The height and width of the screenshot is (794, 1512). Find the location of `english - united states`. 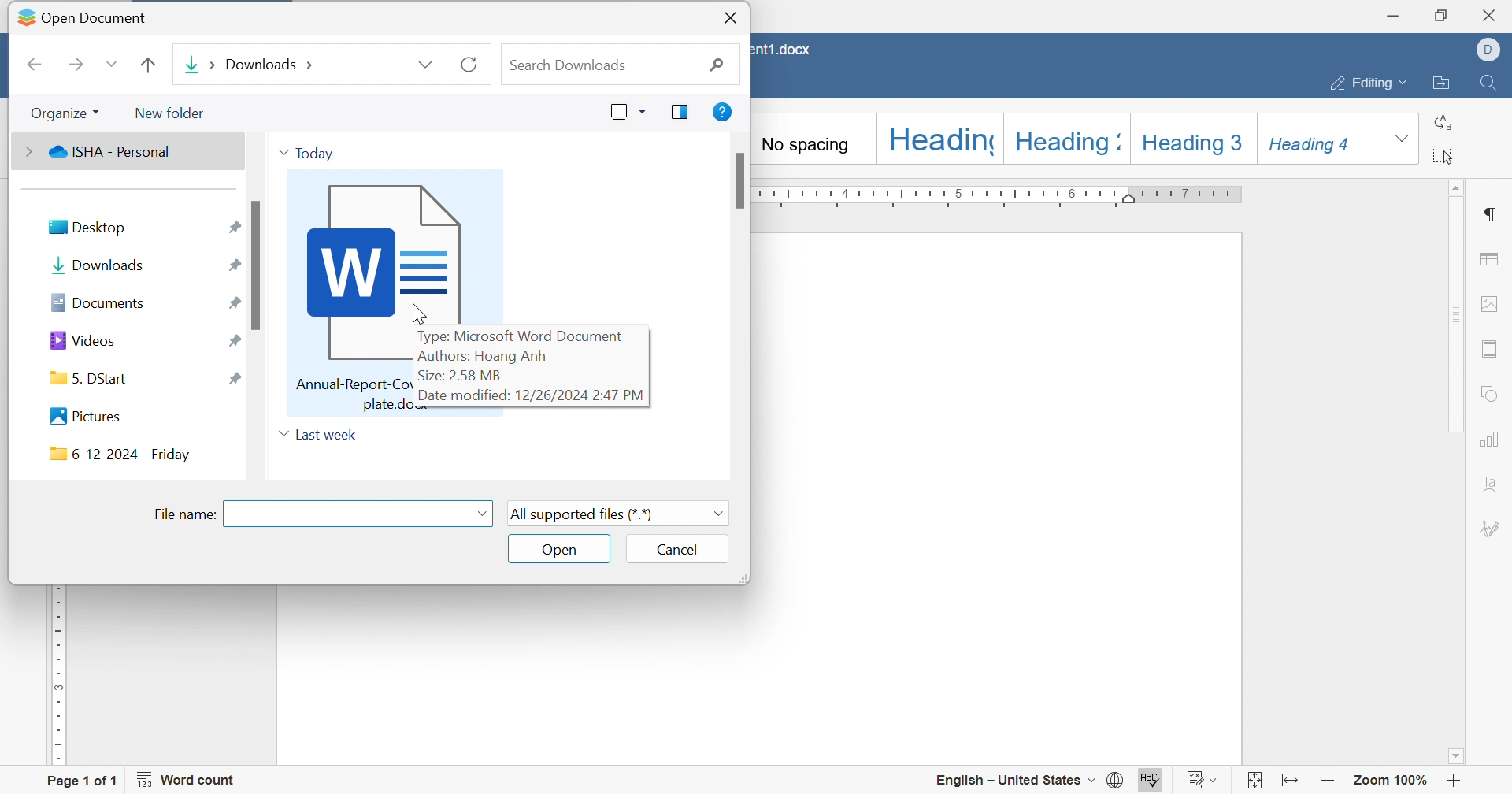

english - united states is located at coordinates (1015, 781).